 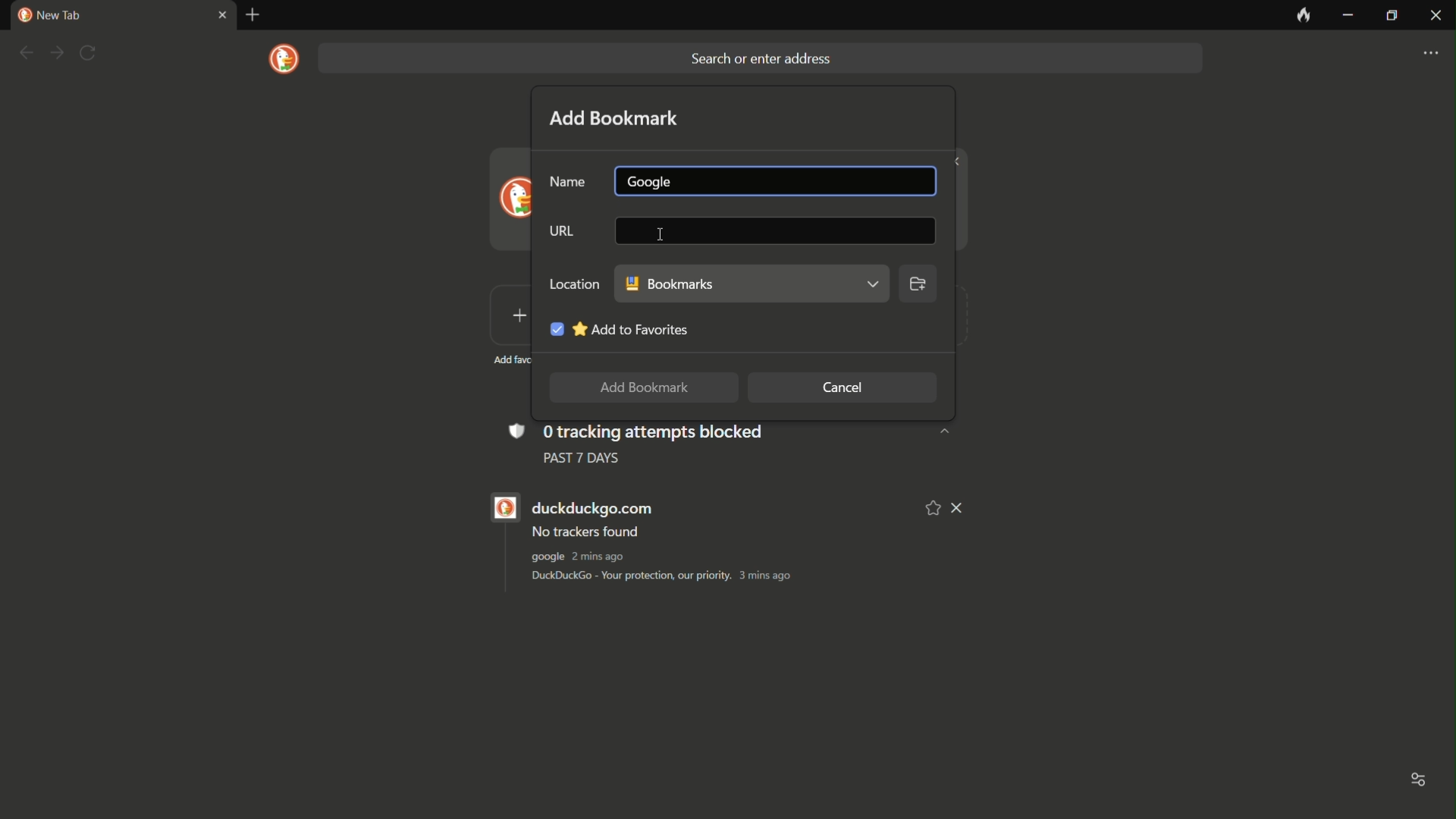 What do you see at coordinates (934, 507) in the screenshot?
I see `add to favorite` at bounding box center [934, 507].